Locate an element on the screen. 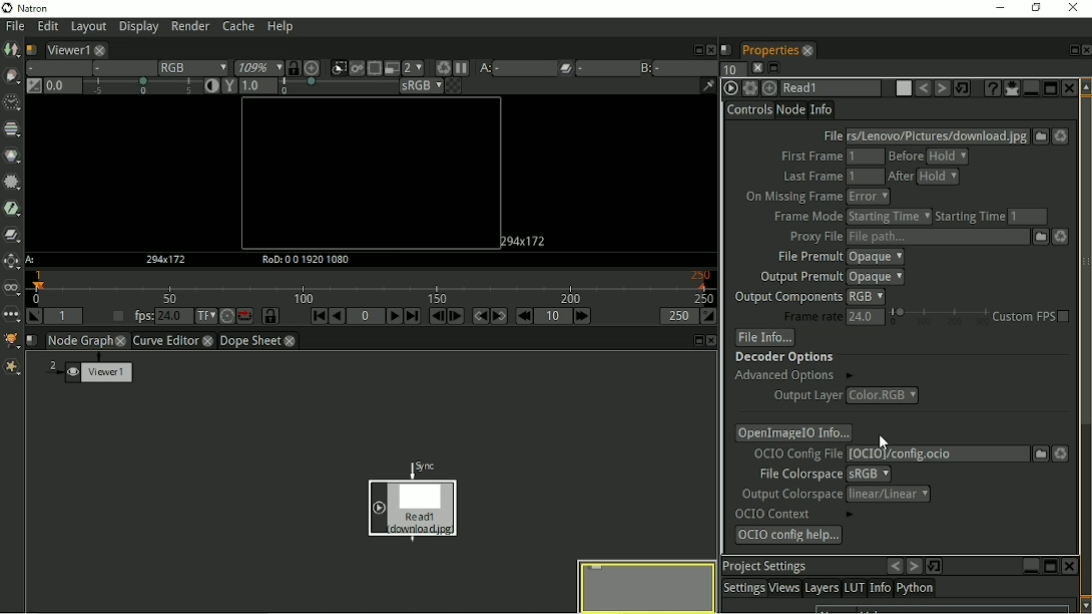  GMIC is located at coordinates (11, 341).